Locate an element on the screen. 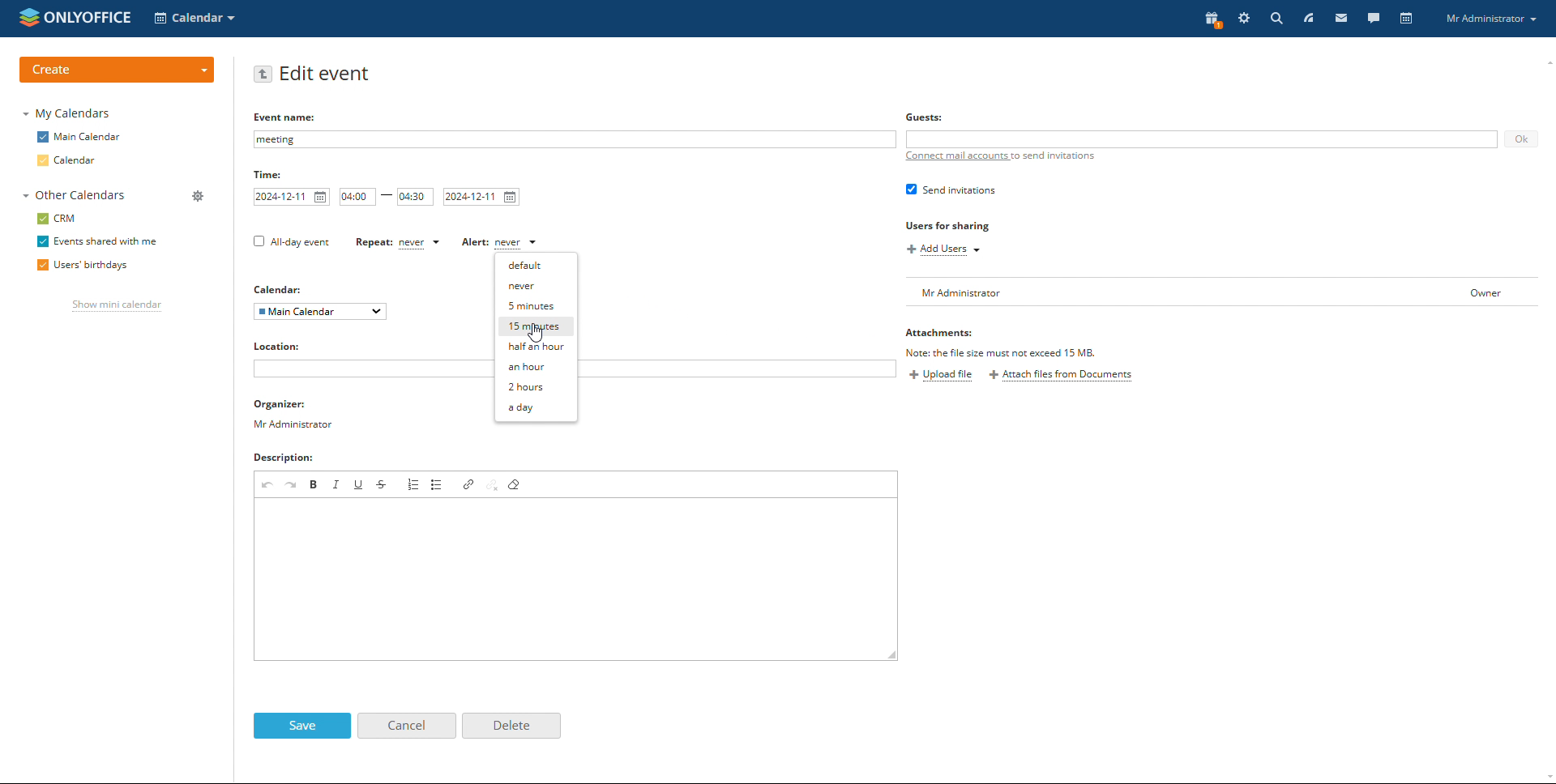  an hour is located at coordinates (537, 367).